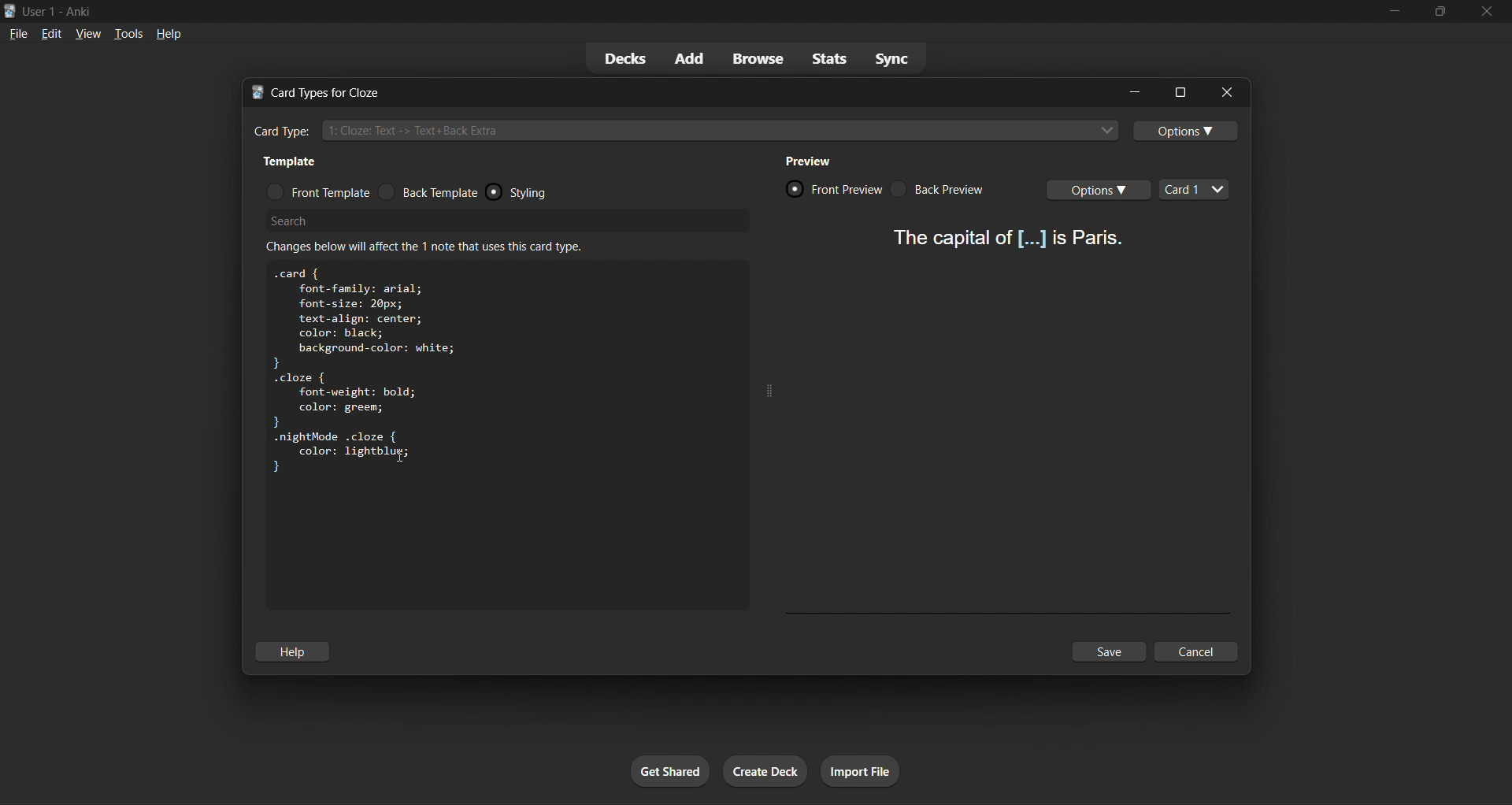  What do you see at coordinates (942, 190) in the screenshot?
I see `card back preview` at bounding box center [942, 190].